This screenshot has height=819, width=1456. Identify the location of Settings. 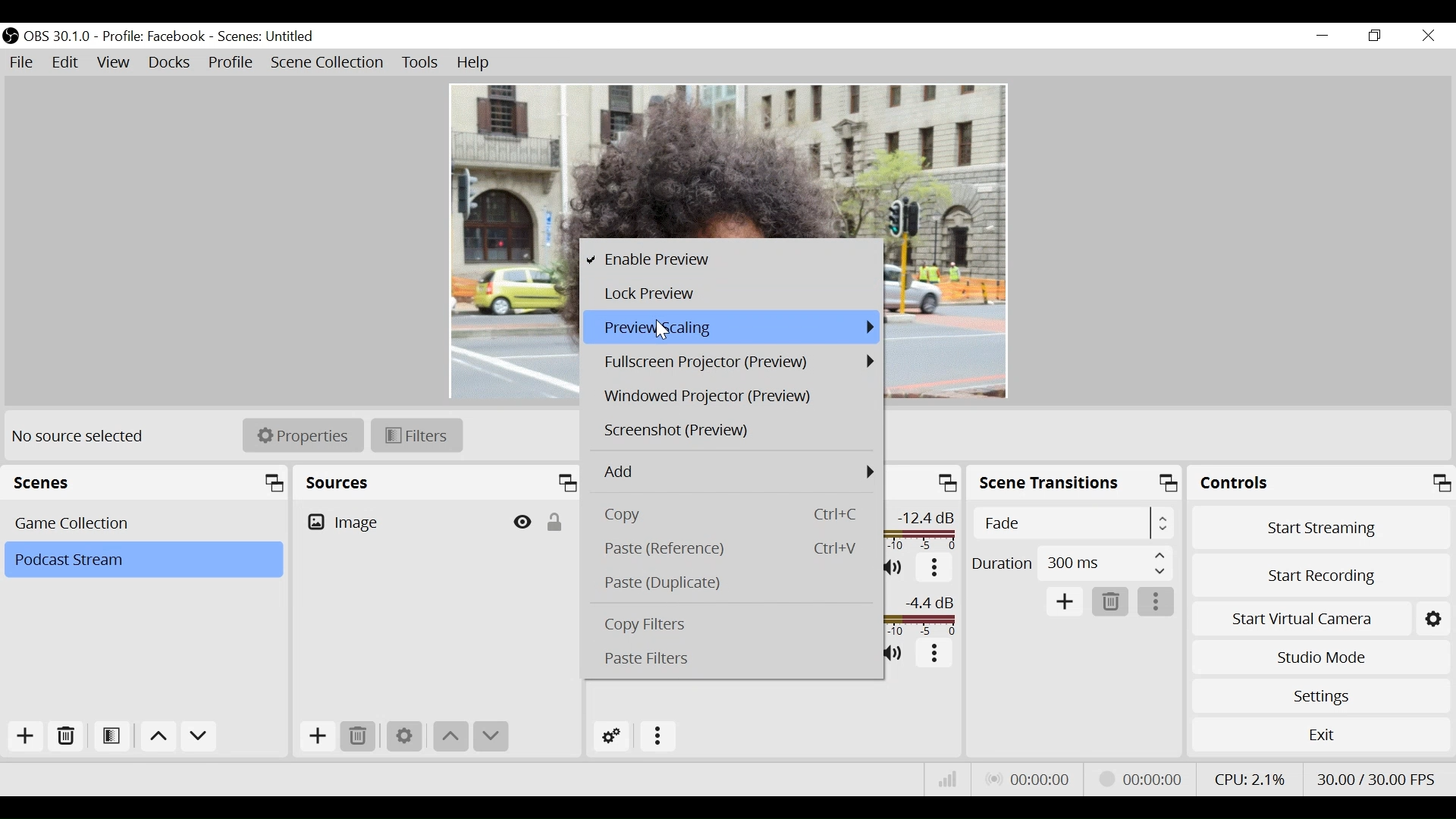
(1323, 694).